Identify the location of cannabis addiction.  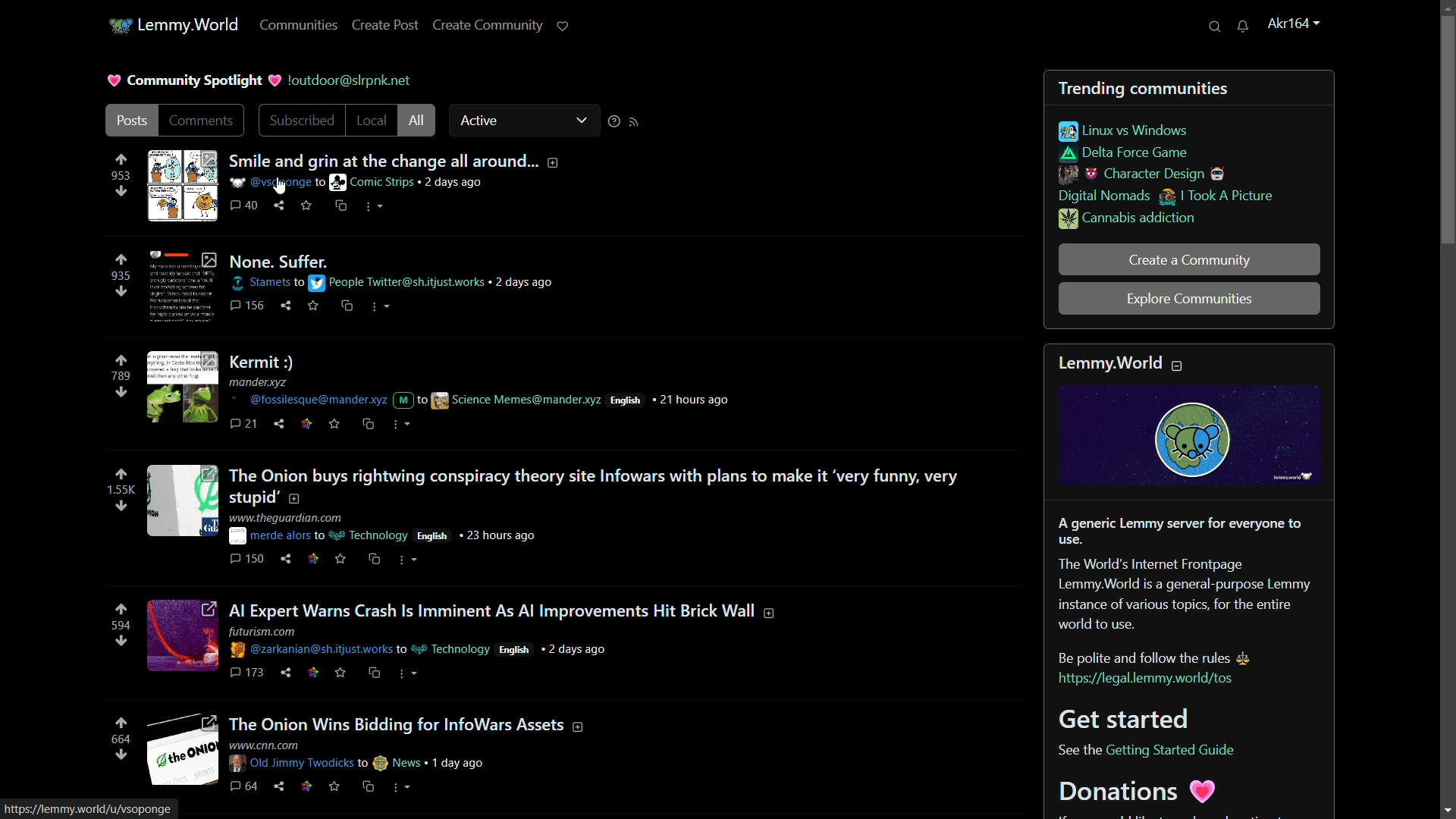
(1126, 220).